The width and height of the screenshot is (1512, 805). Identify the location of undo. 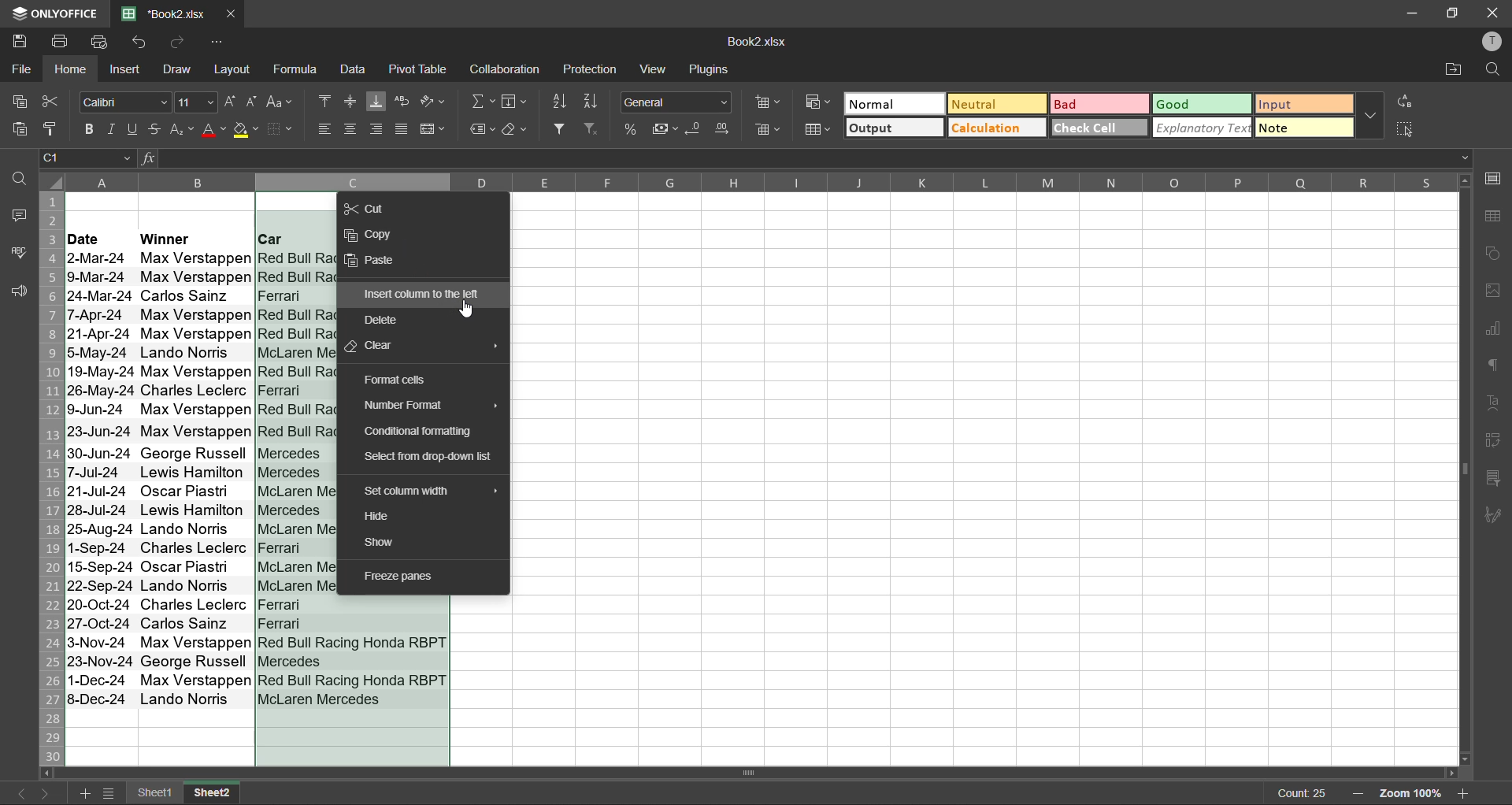
(144, 43).